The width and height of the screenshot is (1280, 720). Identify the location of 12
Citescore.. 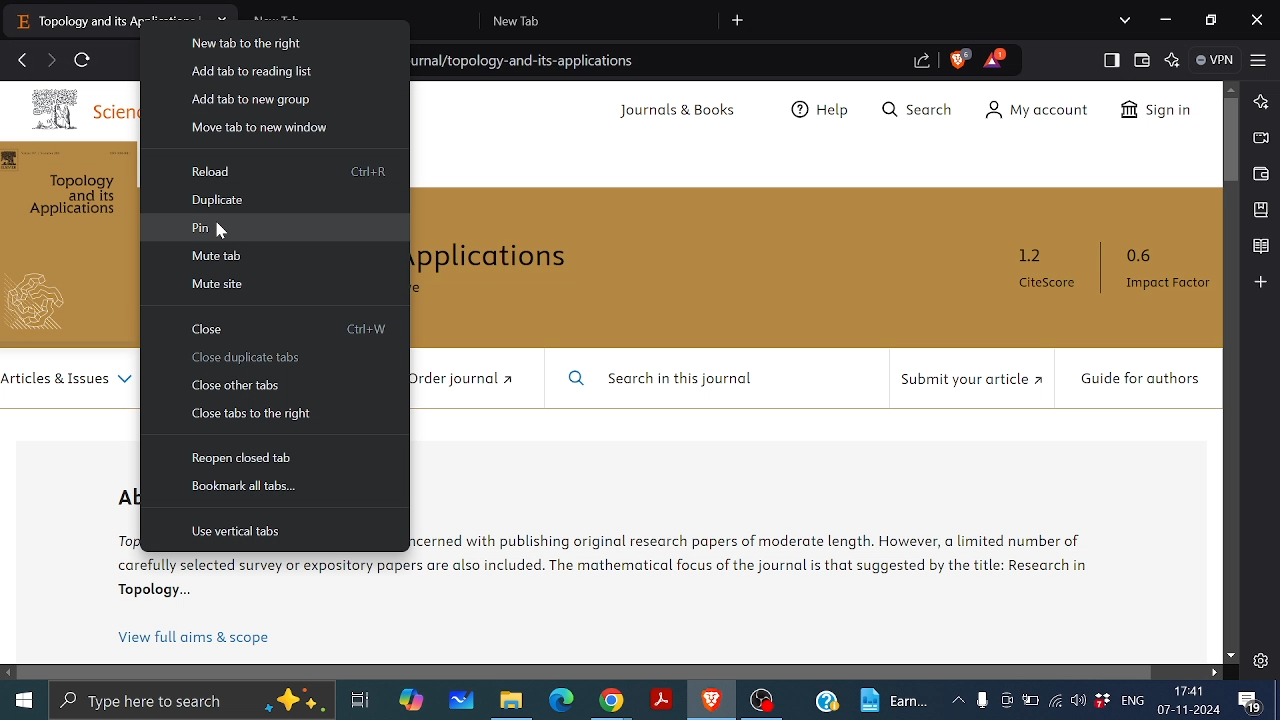
(1046, 269).